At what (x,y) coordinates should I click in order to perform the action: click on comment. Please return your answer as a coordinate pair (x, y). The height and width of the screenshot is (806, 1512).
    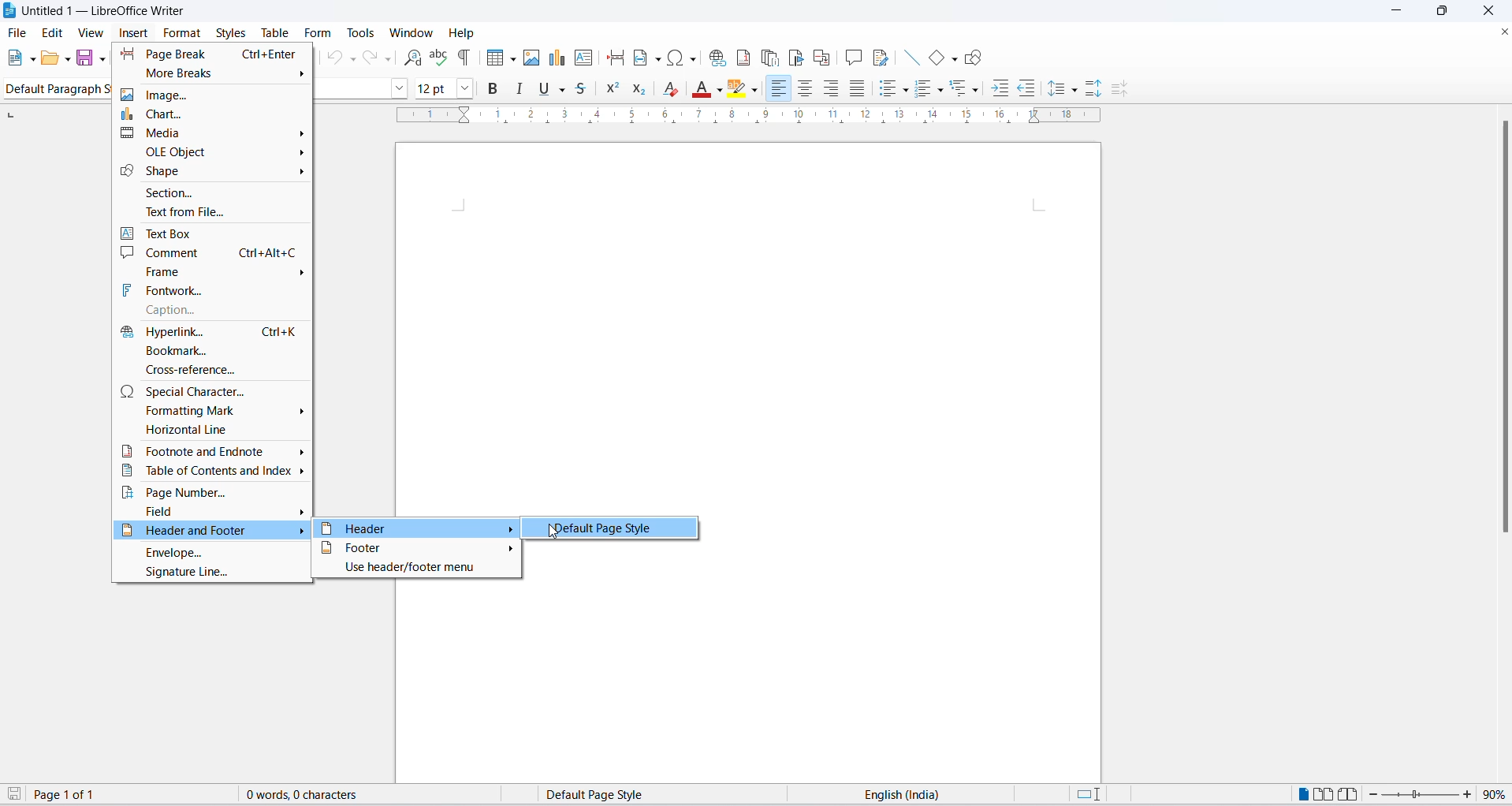
    Looking at the image, I should click on (213, 252).